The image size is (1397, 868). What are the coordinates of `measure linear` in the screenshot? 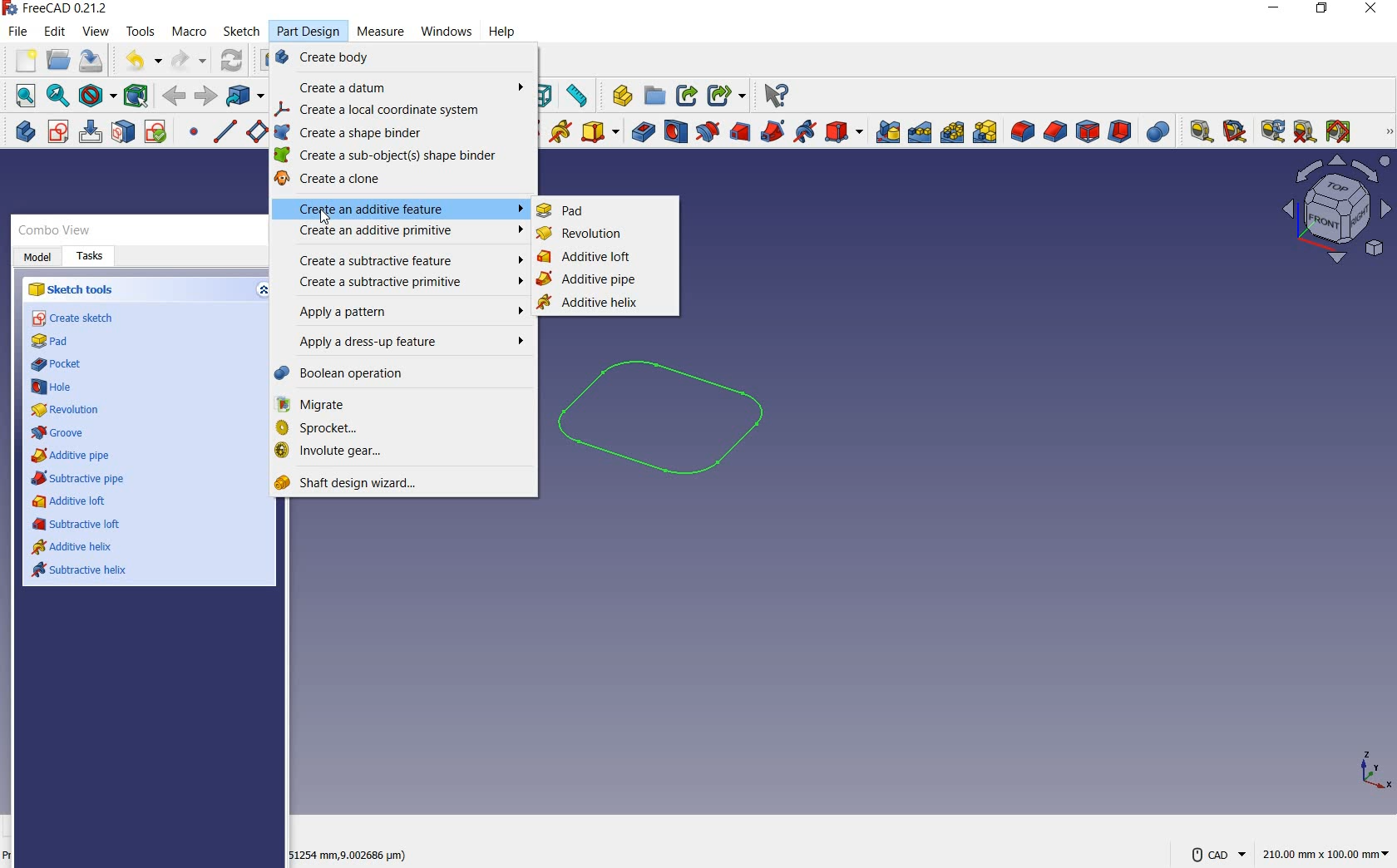 It's located at (1198, 131).